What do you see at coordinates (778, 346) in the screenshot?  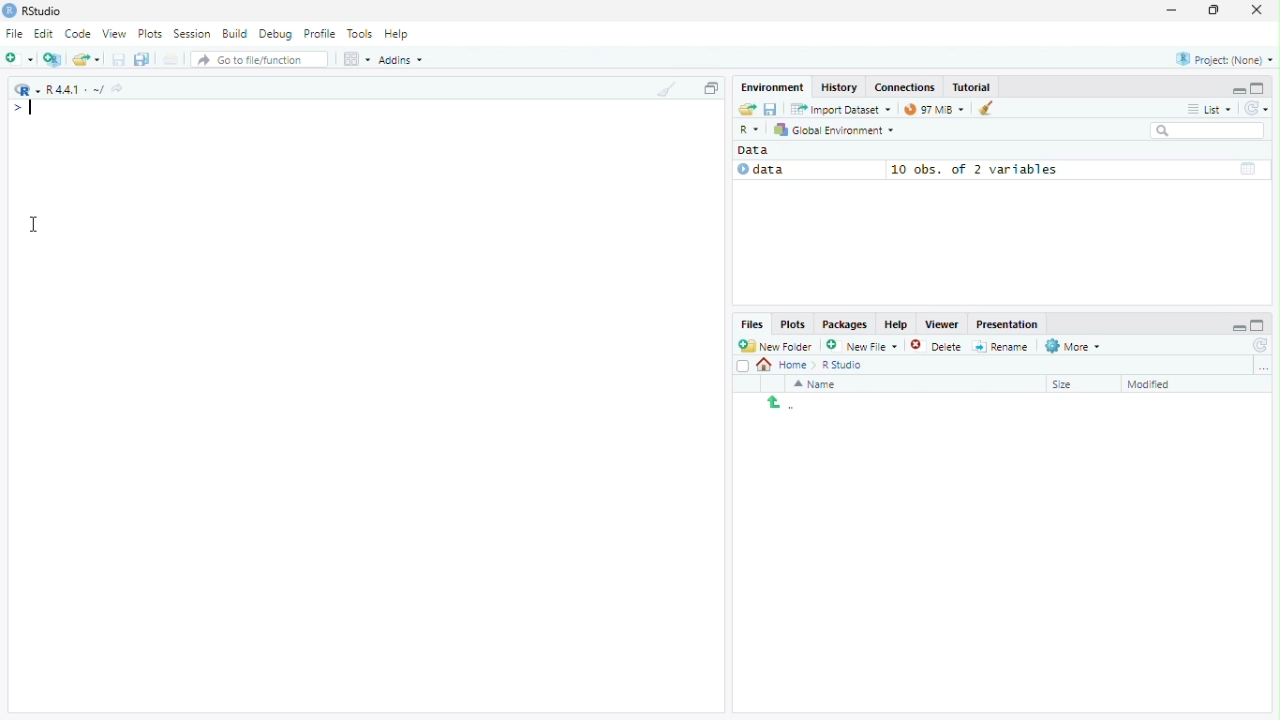 I see `New Folder` at bounding box center [778, 346].